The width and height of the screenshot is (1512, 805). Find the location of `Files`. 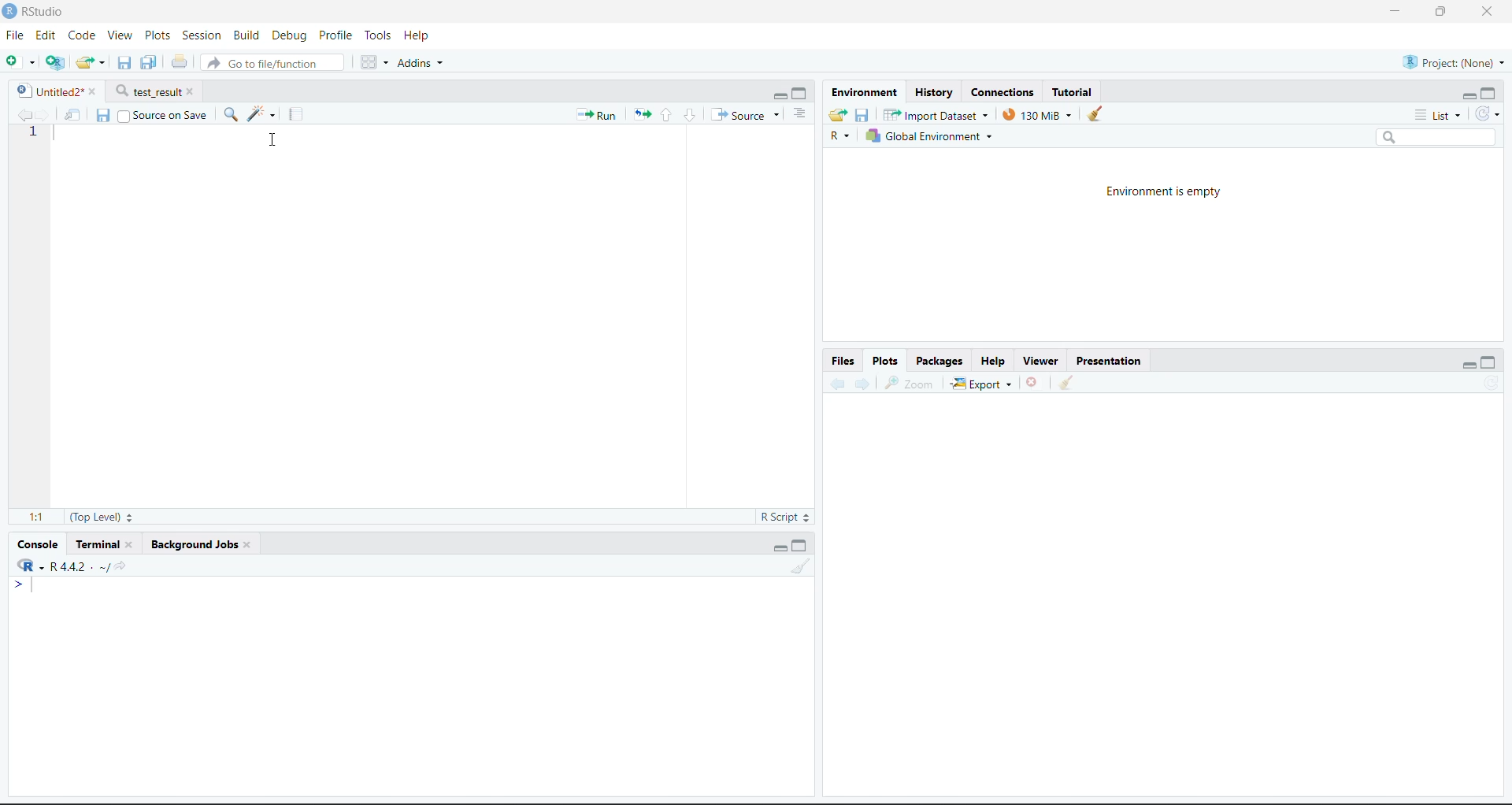

Files is located at coordinates (843, 360).